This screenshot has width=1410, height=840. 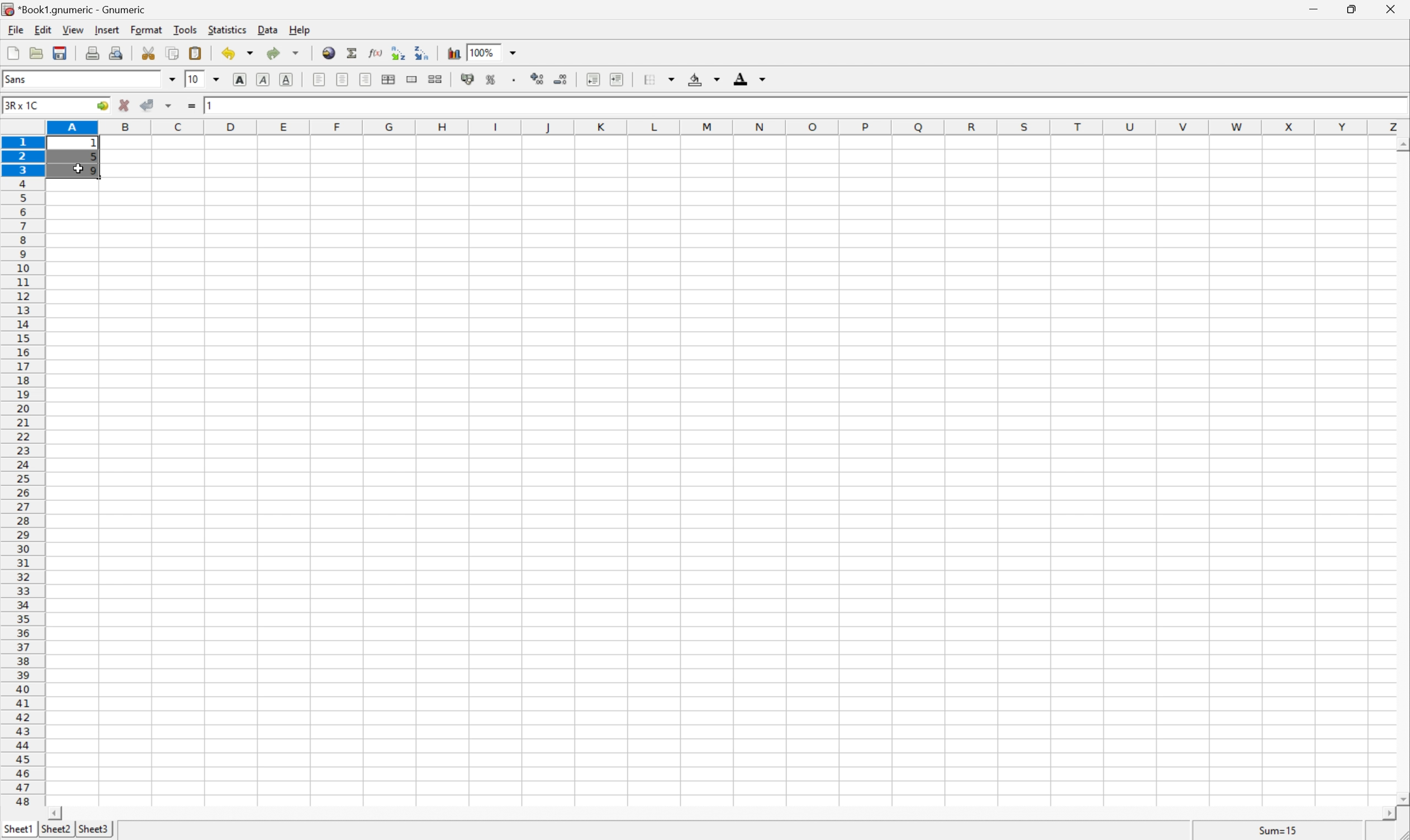 What do you see at coordinates (415, 79) in the screenshot?
I see `merge a range of cells` at bounding box center [415, 79].